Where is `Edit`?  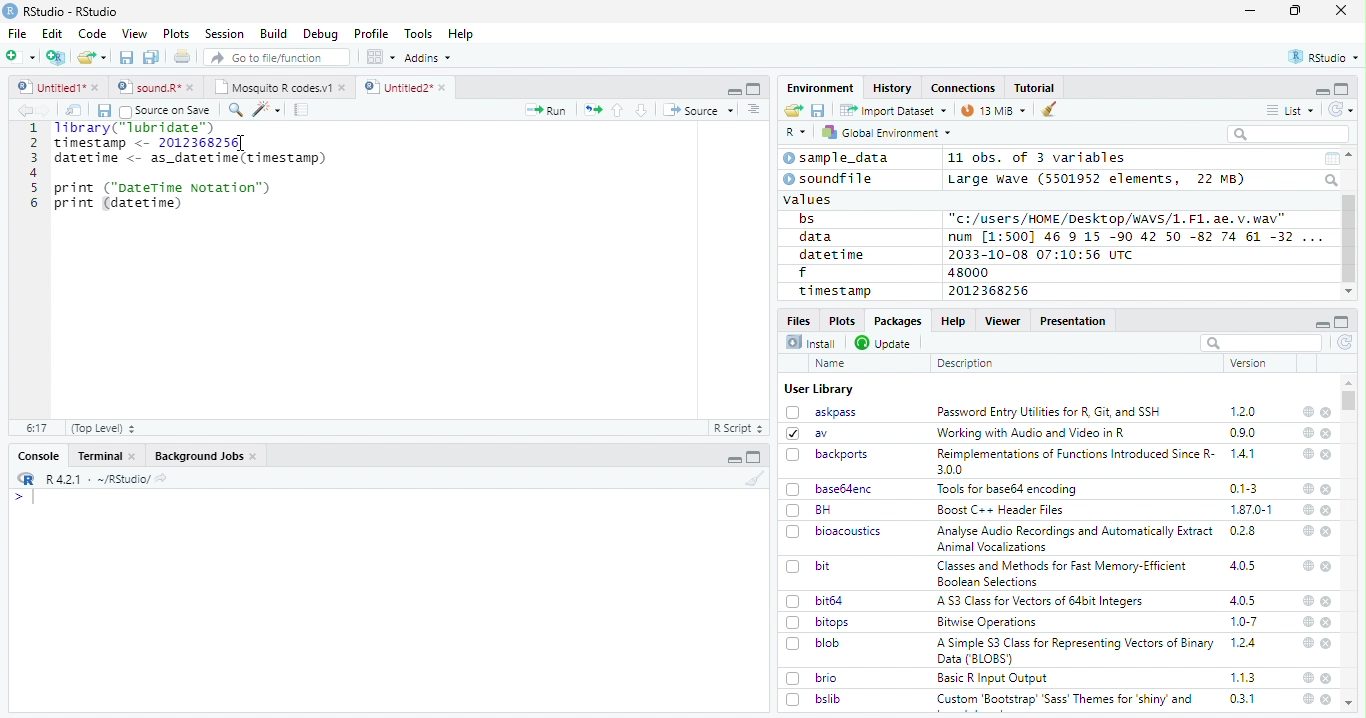 Edit is located at coordinates (52, 33).